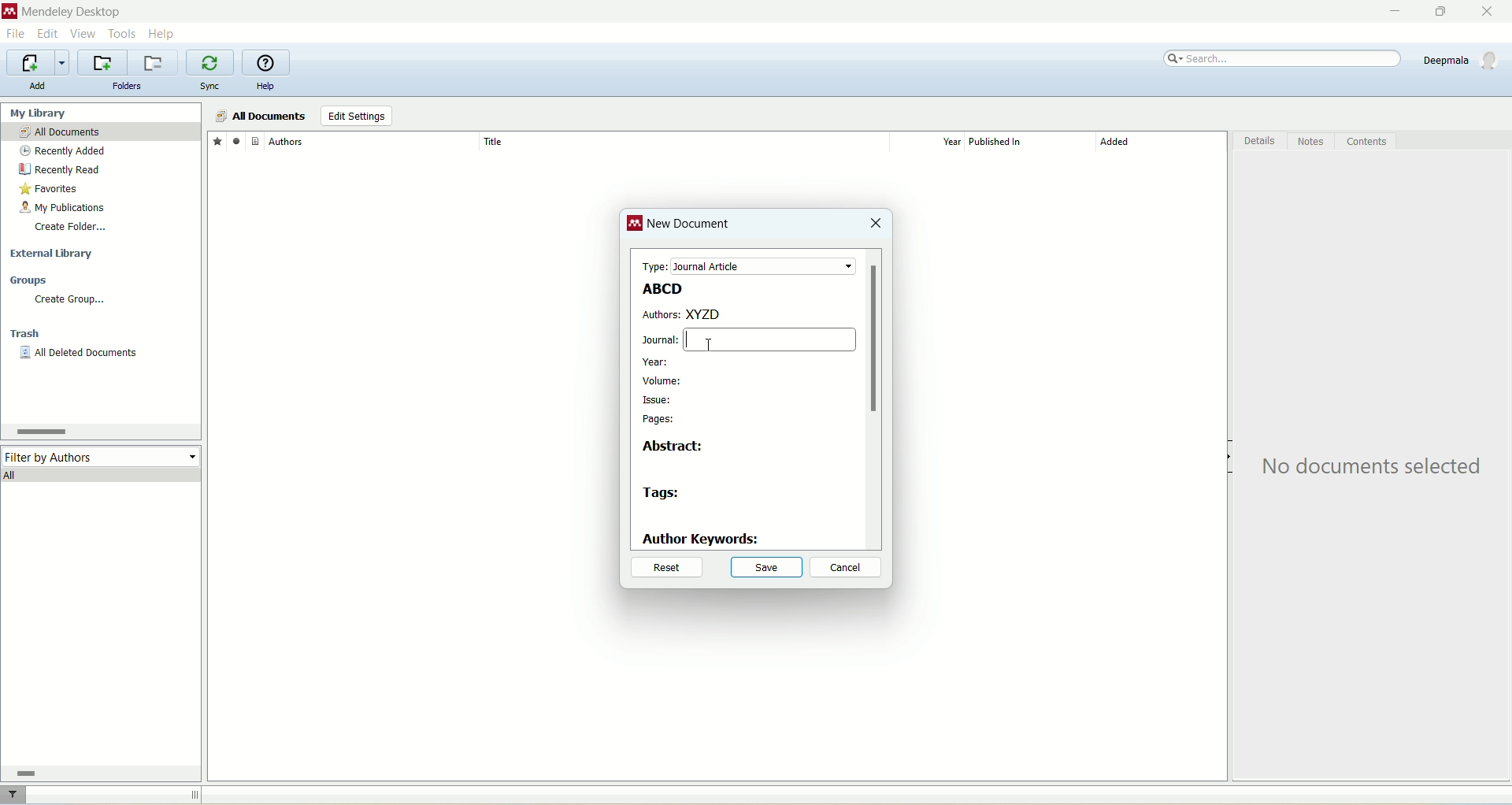 This screenshot has width=1512, height=805. I want to click on help, so click(265, 87).